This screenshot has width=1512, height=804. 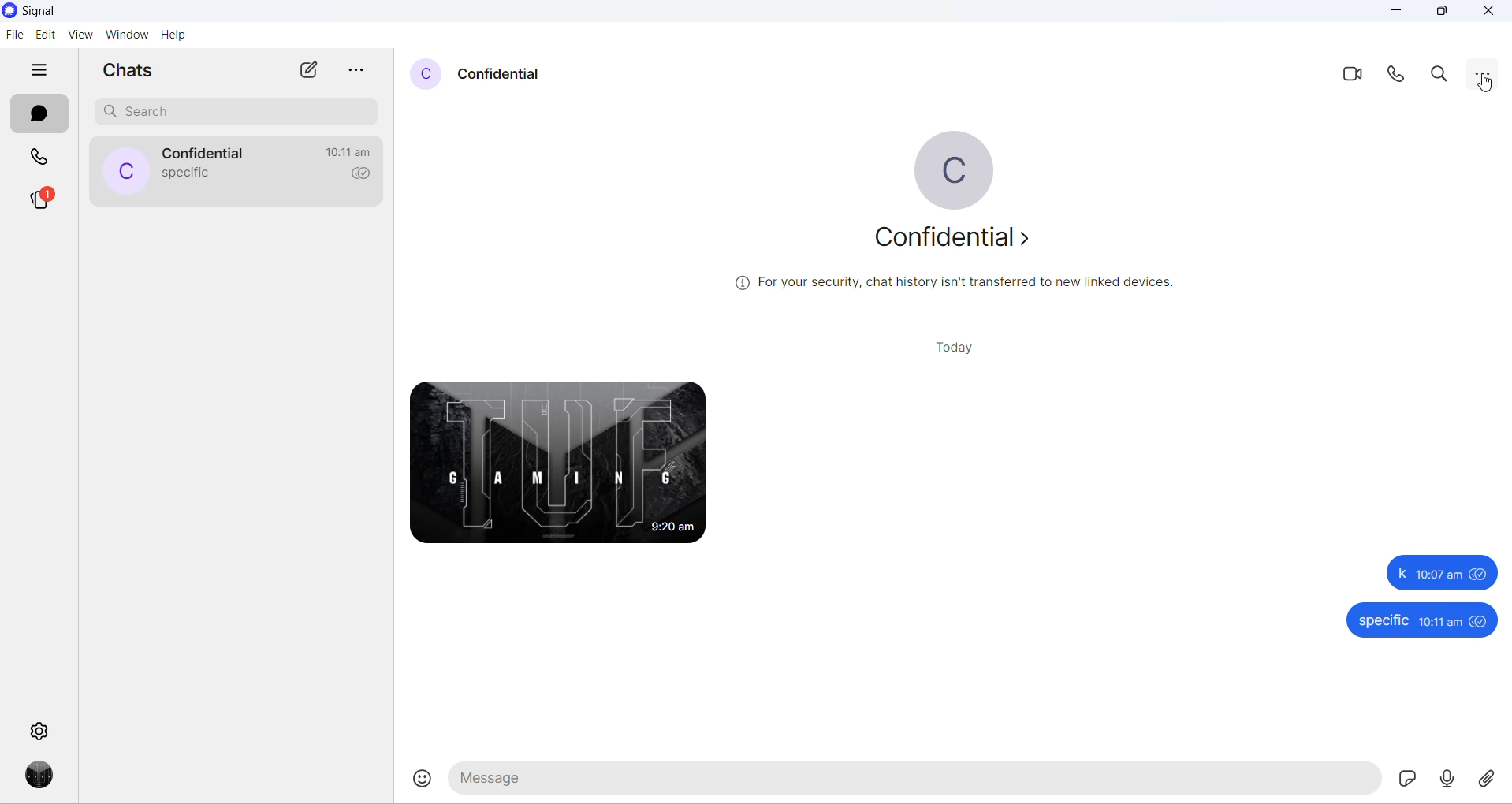 What do you see at coordinates (1441, 575) in the screenshot?
I see `10:01 am` at bounding box center [1441, 575].